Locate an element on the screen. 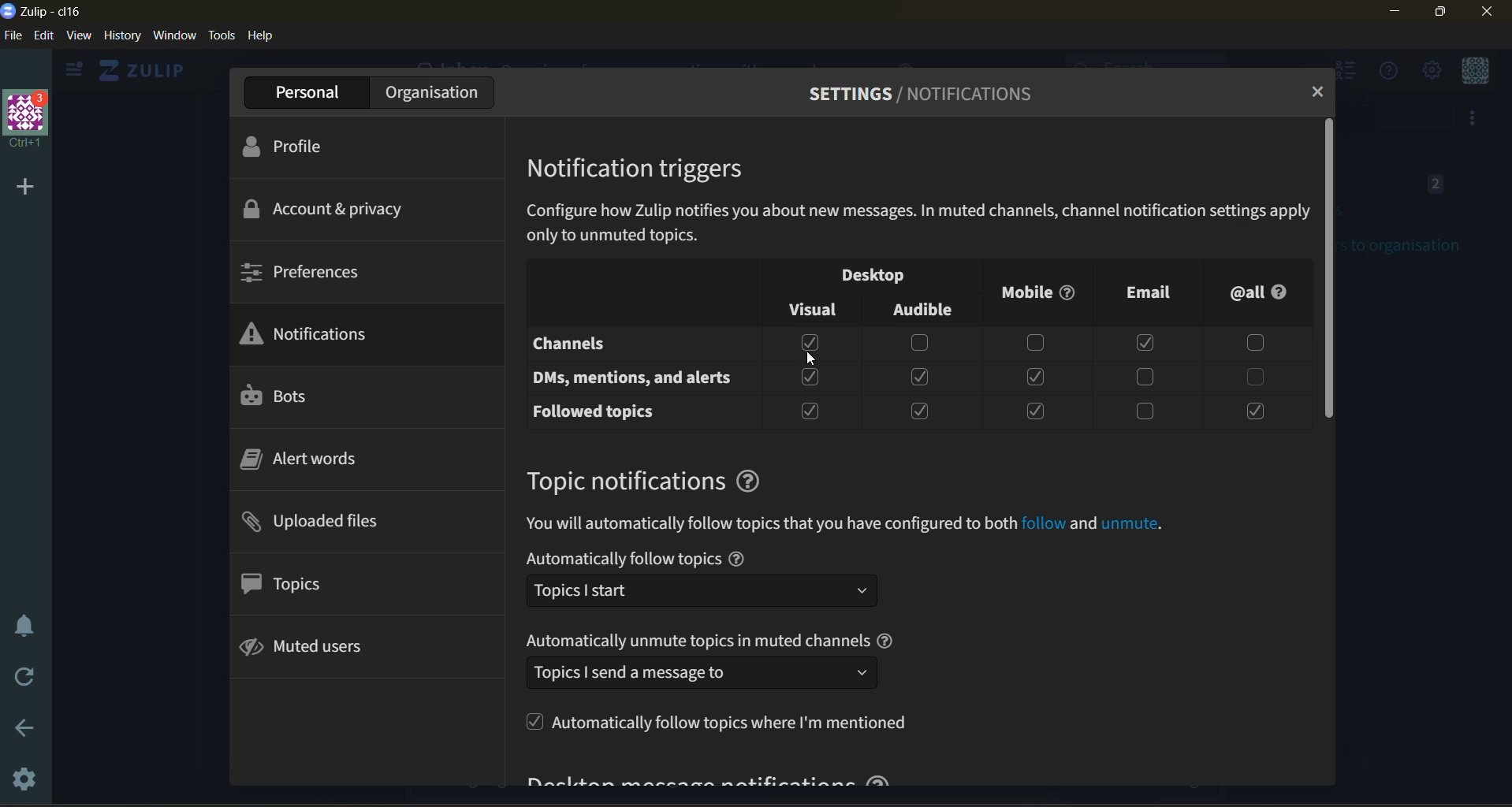  and is located at coordinates (1082, 524).